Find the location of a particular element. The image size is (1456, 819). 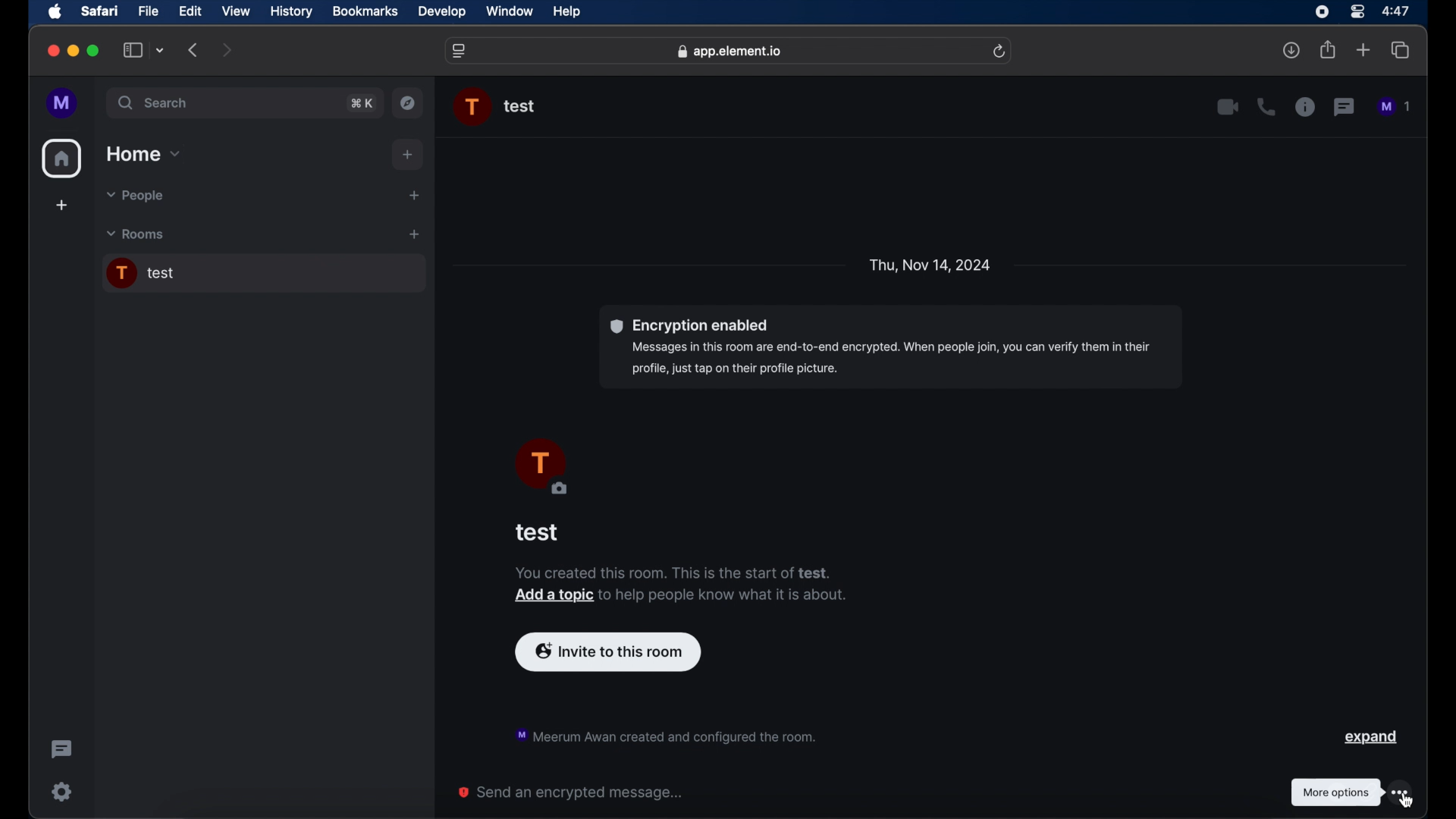

minimize is located at coordinates (73, 51).